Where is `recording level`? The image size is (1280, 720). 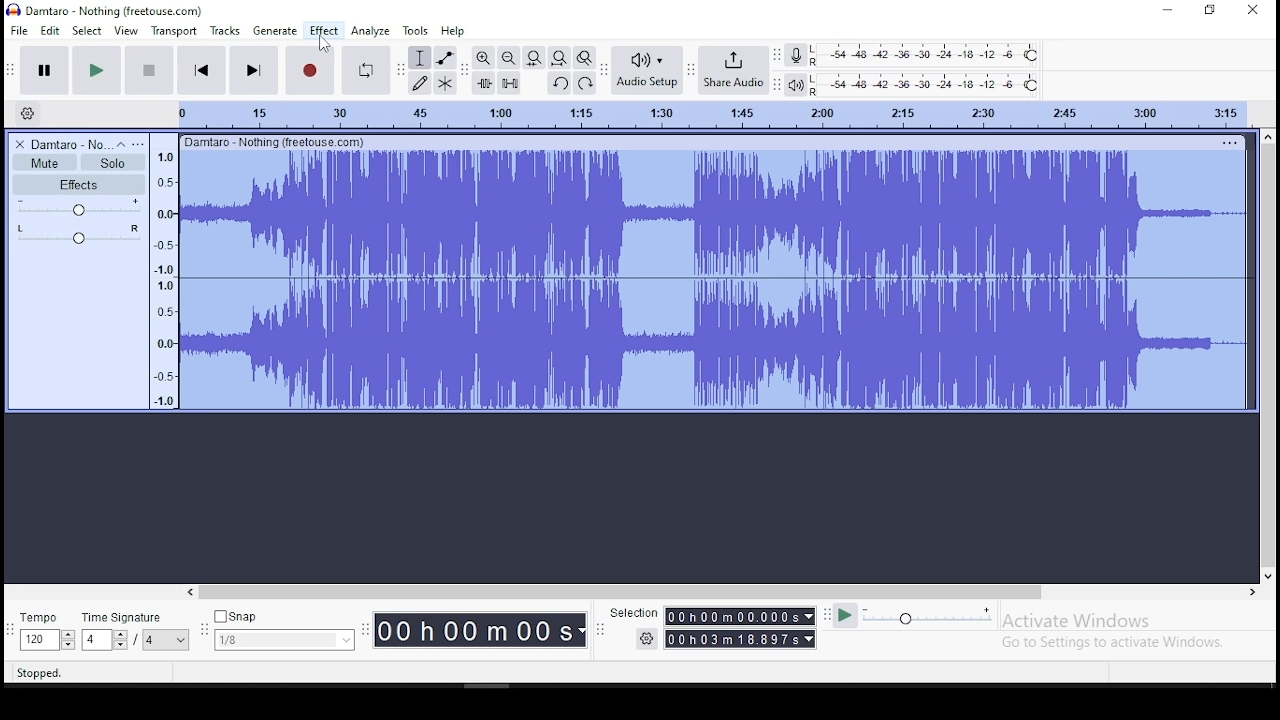 recording level is located at coordinates (927, 55).